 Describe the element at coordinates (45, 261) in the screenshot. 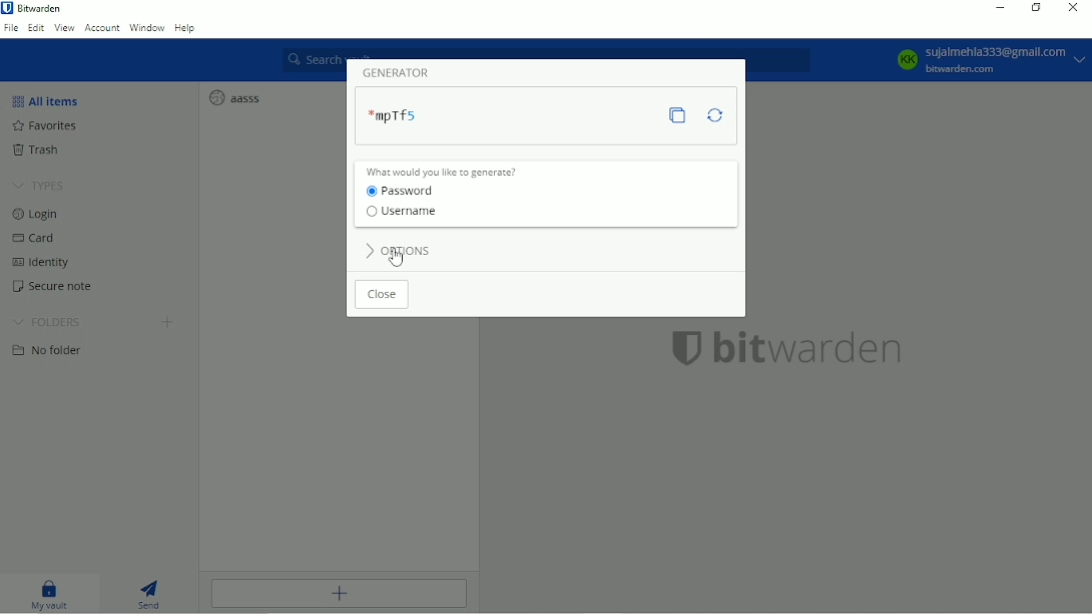

I see `Identity` at that location.